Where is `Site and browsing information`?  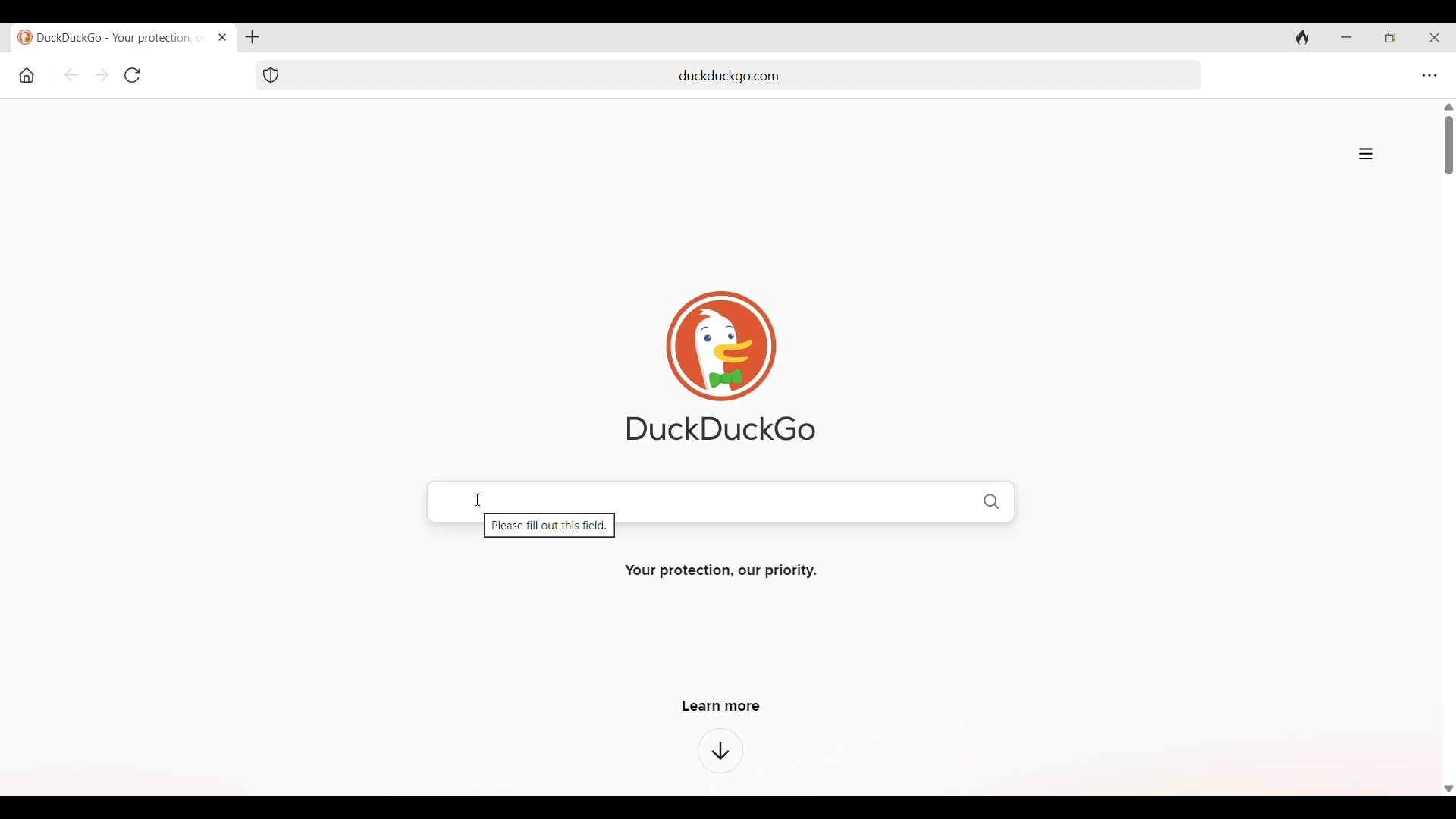
Site and browsing information is located at coordinates (1366, 154).